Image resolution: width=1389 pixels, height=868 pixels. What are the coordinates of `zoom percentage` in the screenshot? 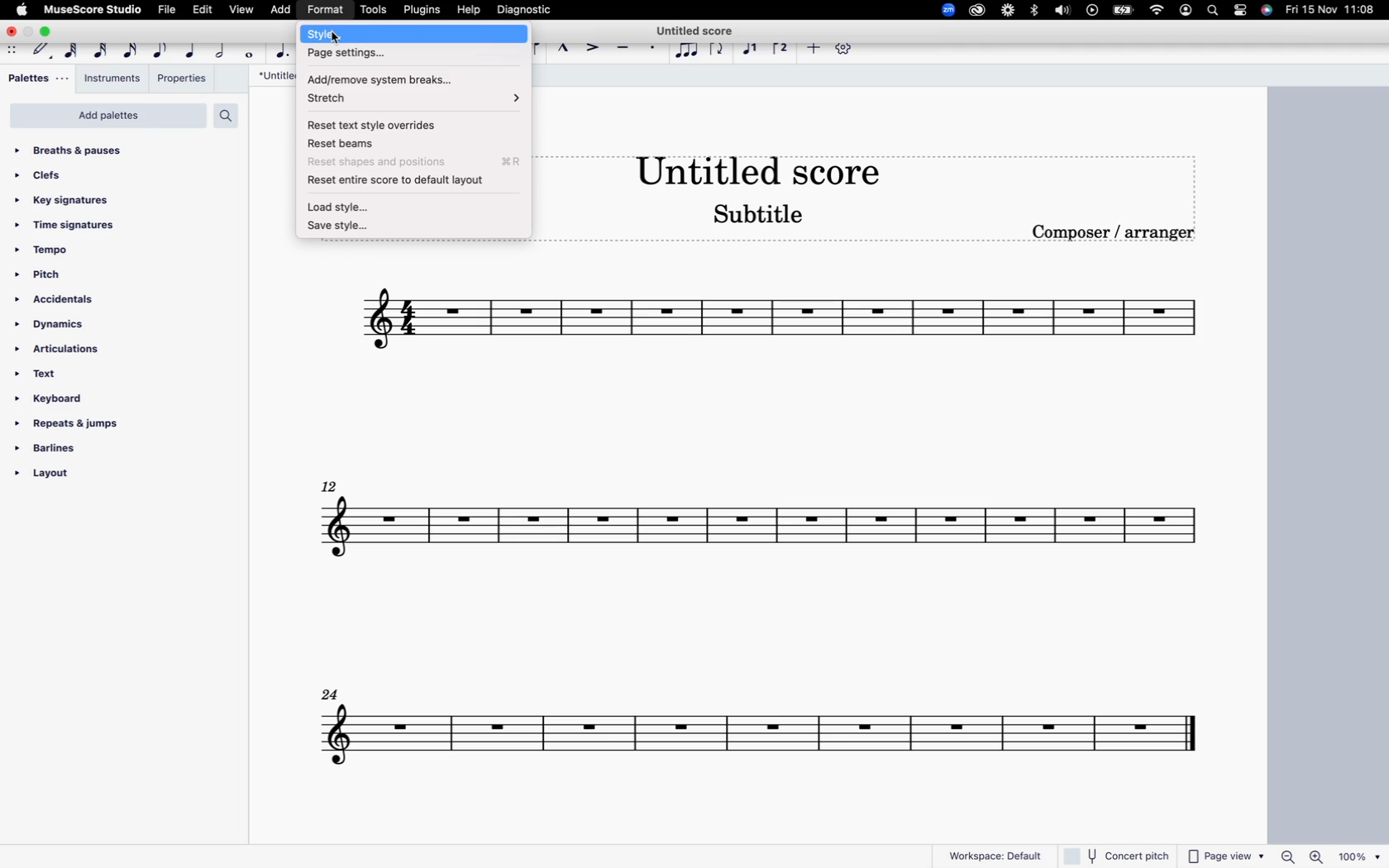 It's located at (1363, 856).